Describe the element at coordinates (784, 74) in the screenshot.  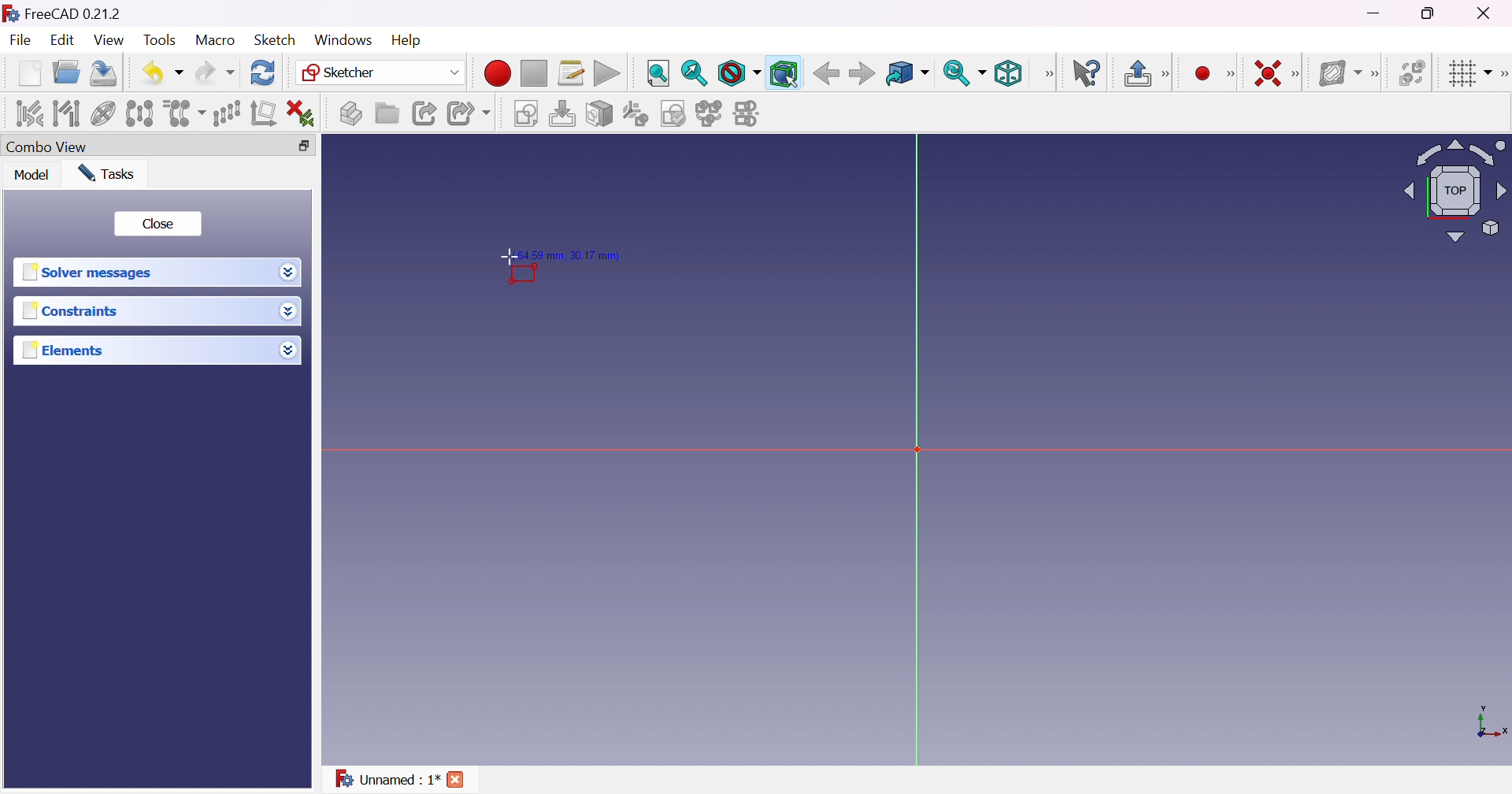
I see `Bounding box` at that location.